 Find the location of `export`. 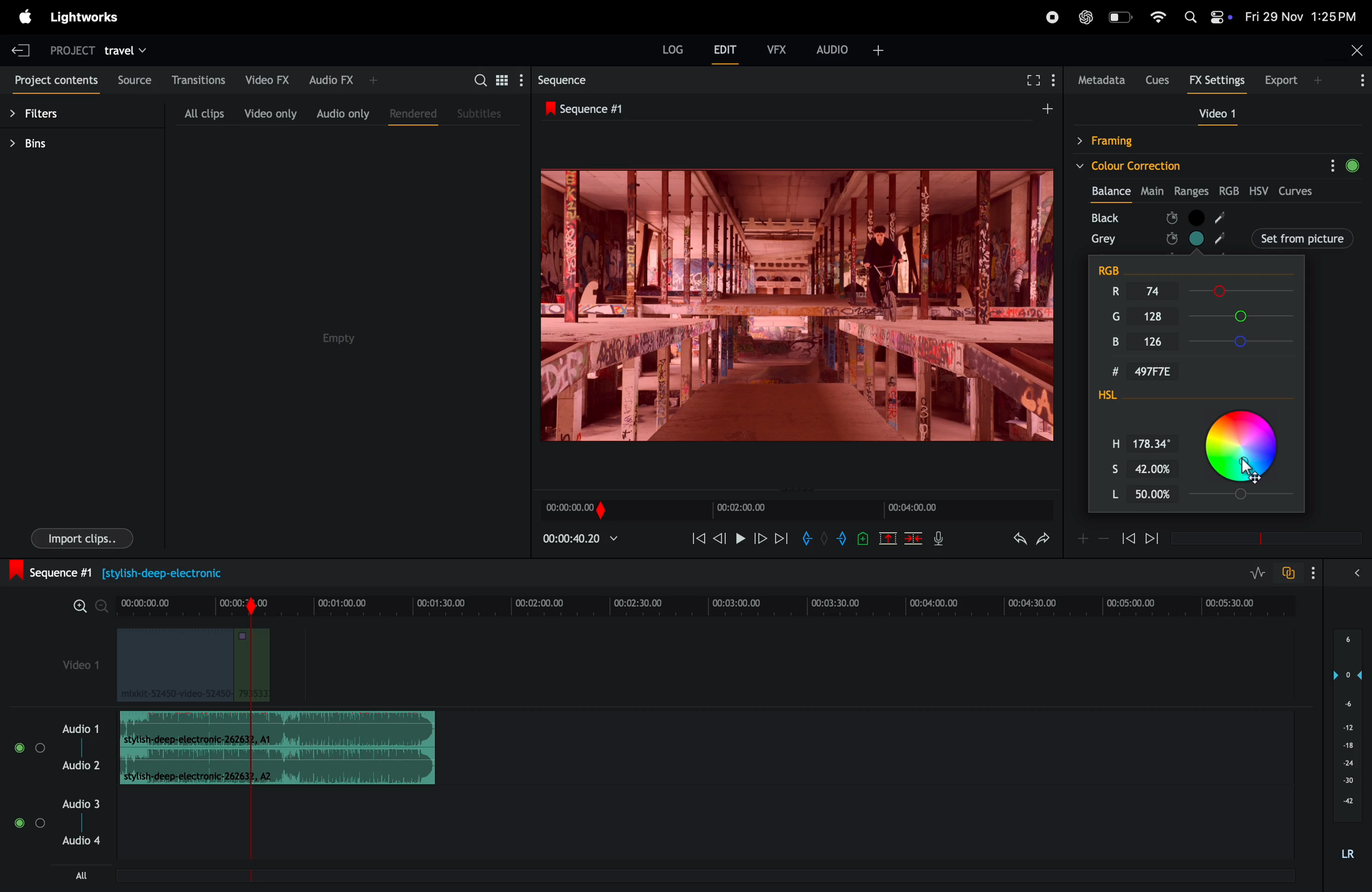

export is located at coordinates (1296, 80).